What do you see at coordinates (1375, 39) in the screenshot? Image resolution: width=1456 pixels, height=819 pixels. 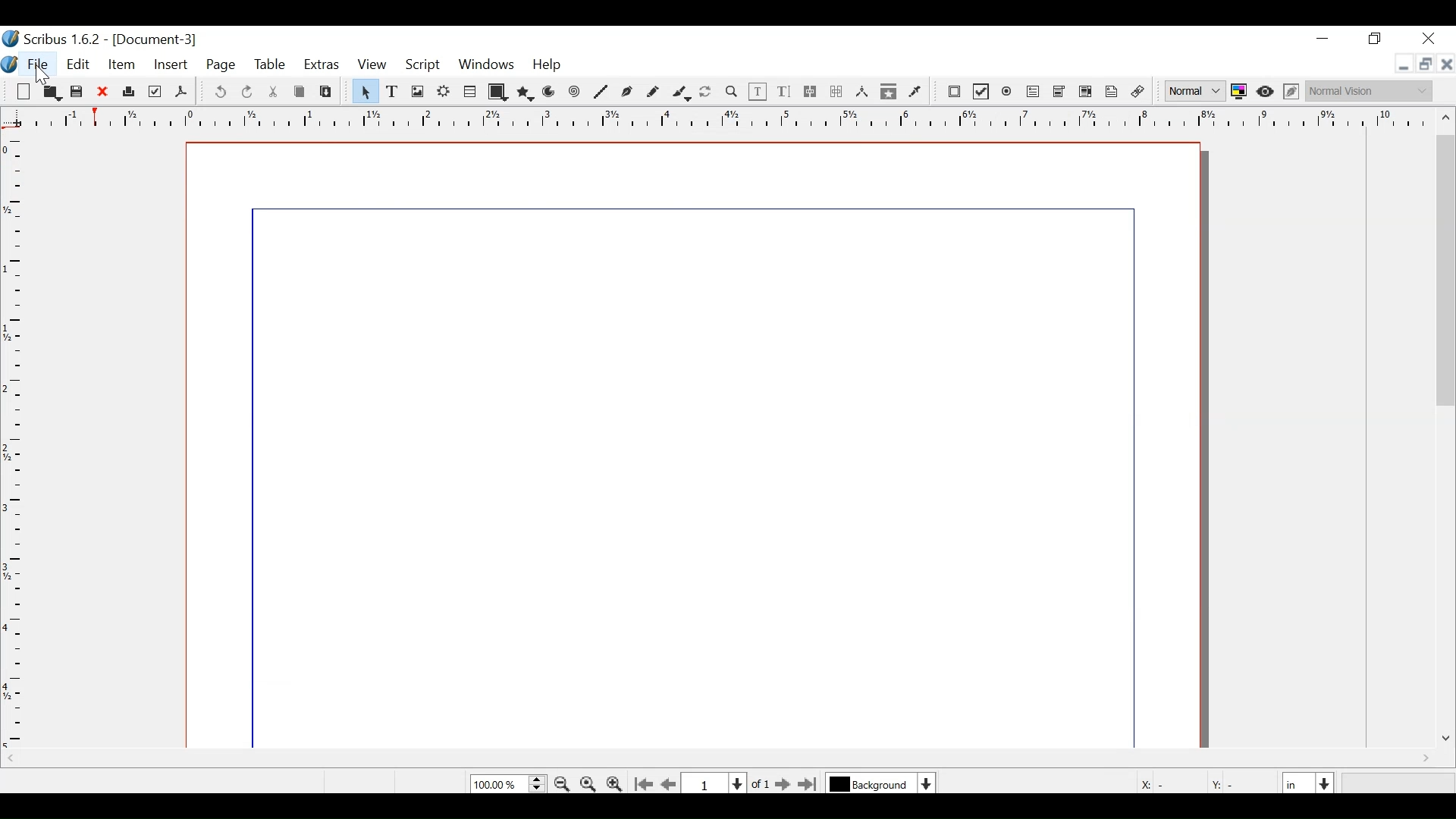 I see `Restore` at bounding box center [1375, 39].